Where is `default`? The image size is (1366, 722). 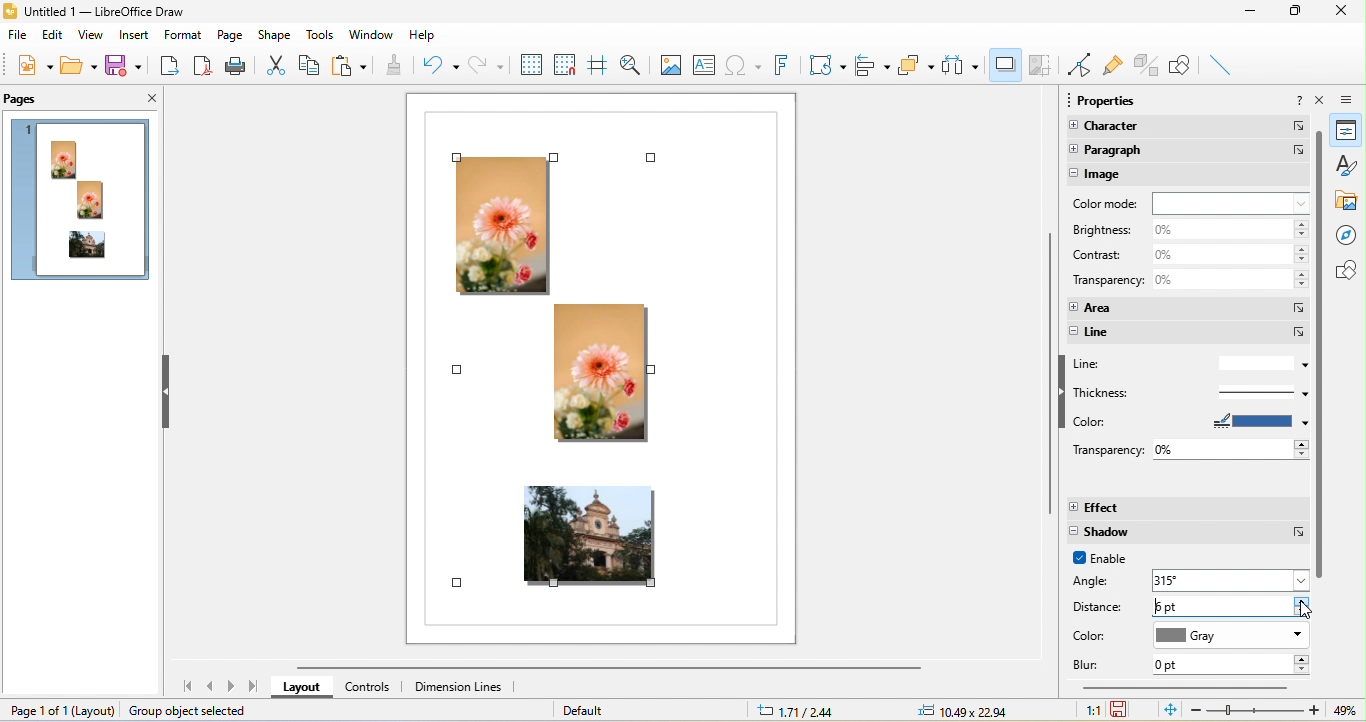
default is located at coordinates (600, 709).